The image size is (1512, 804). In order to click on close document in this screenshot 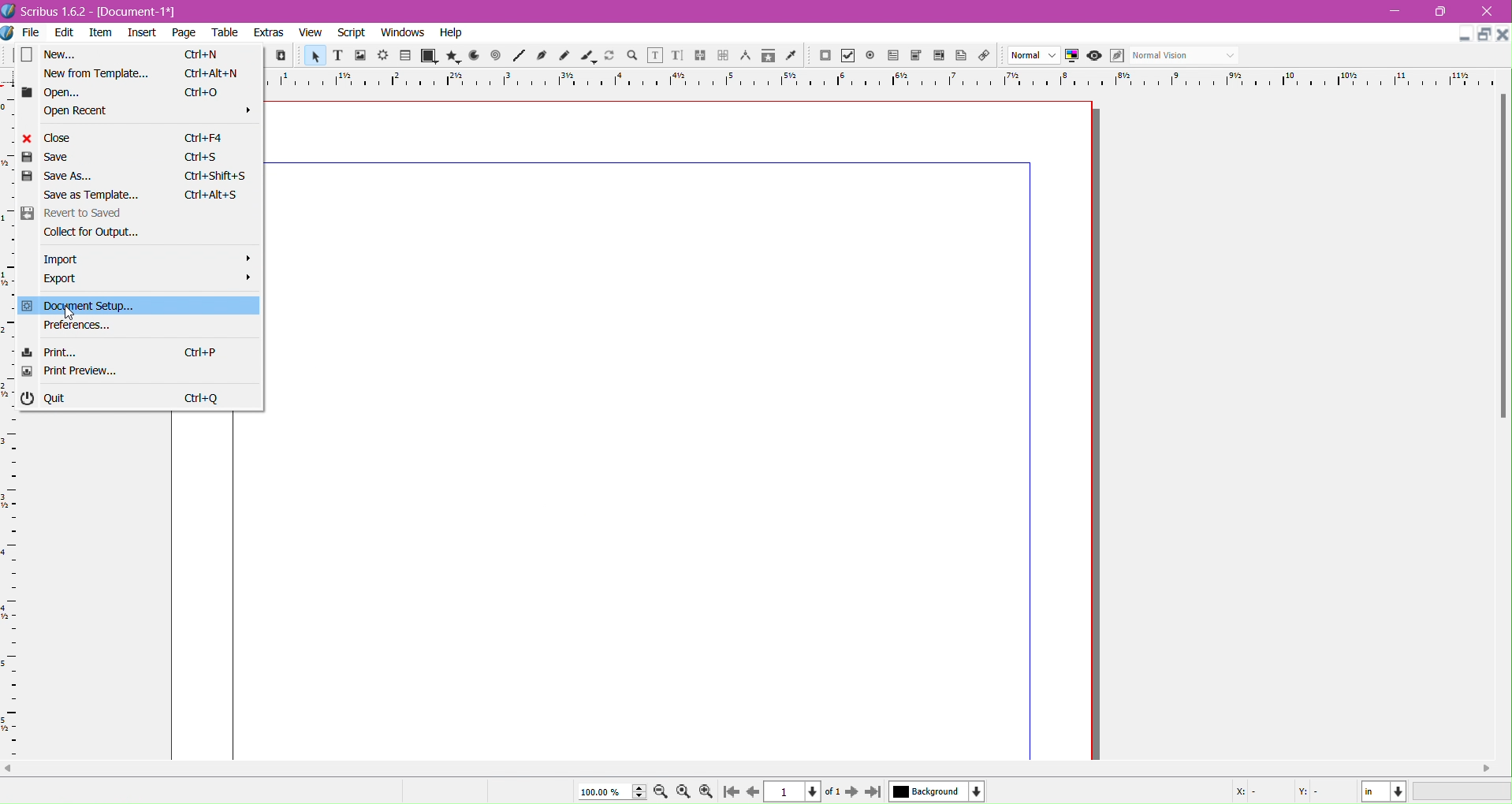, I will do `click(1503, 35)`.